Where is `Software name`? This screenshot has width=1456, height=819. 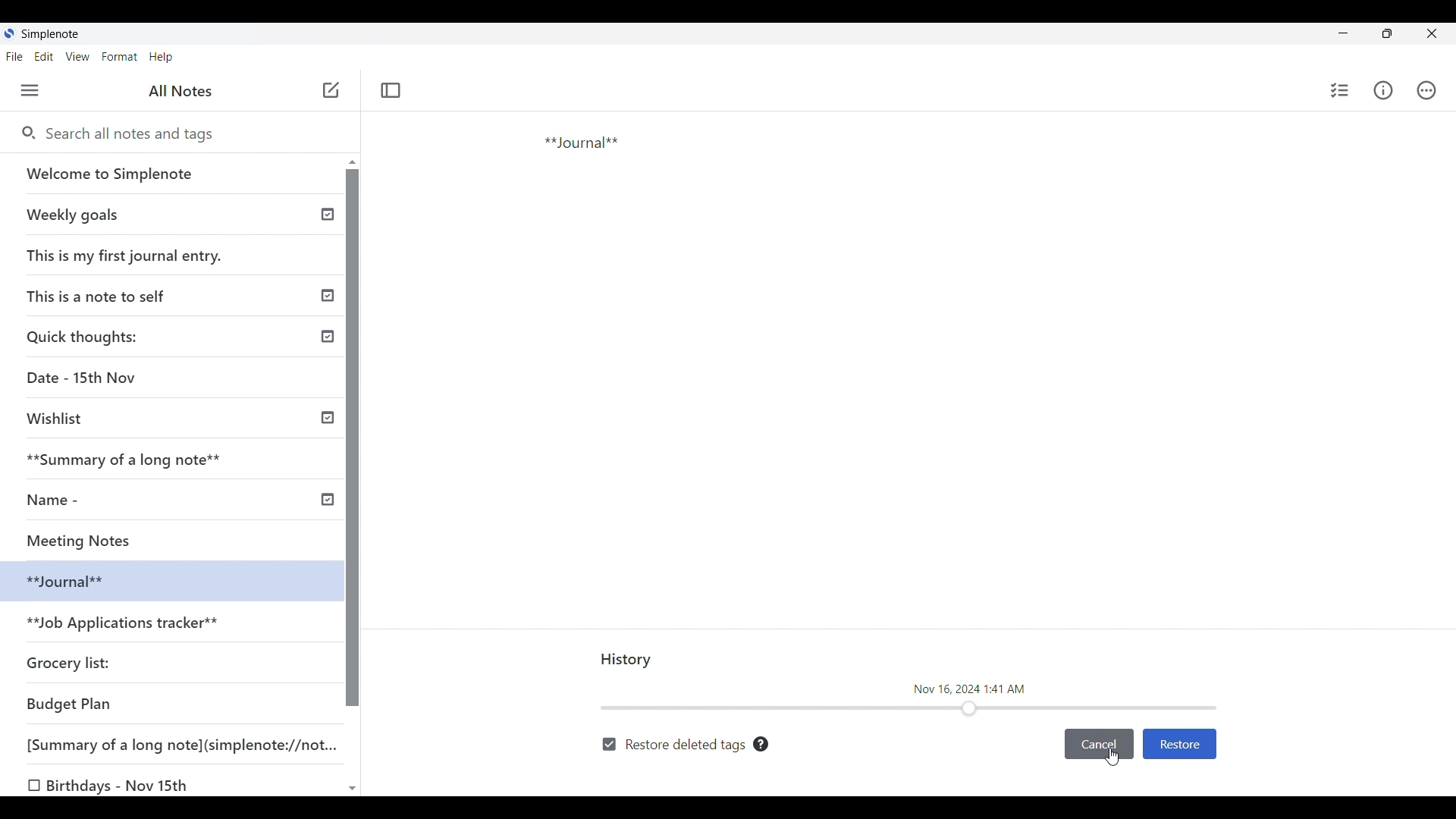
Software name is located at coordinates (52, 34).